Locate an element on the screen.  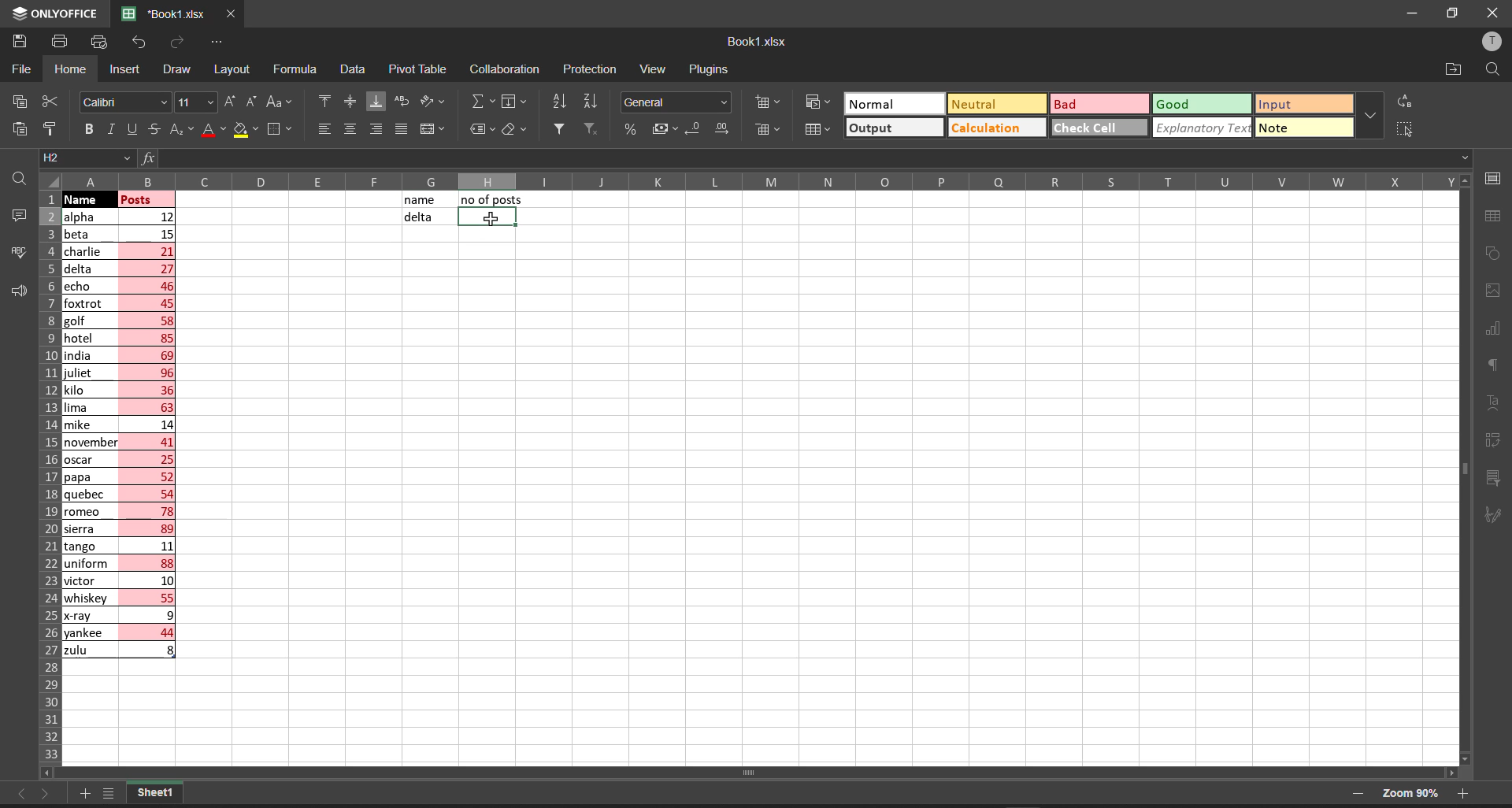
open file location is located at coordinates (1455, 68).